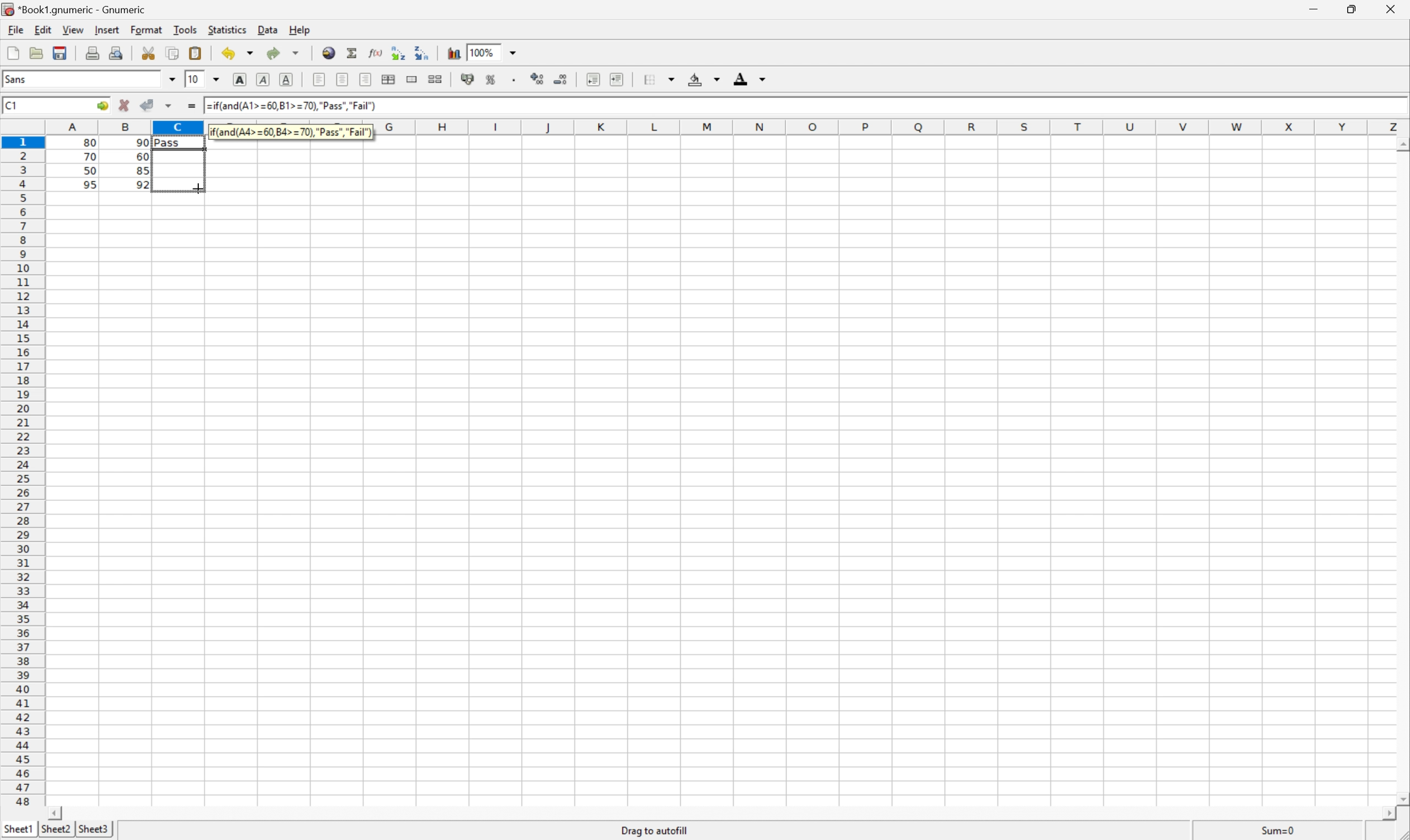 The width and height of the screenshot is (1410, 840). I want to click on Create a new workbook, so click(12, 50).